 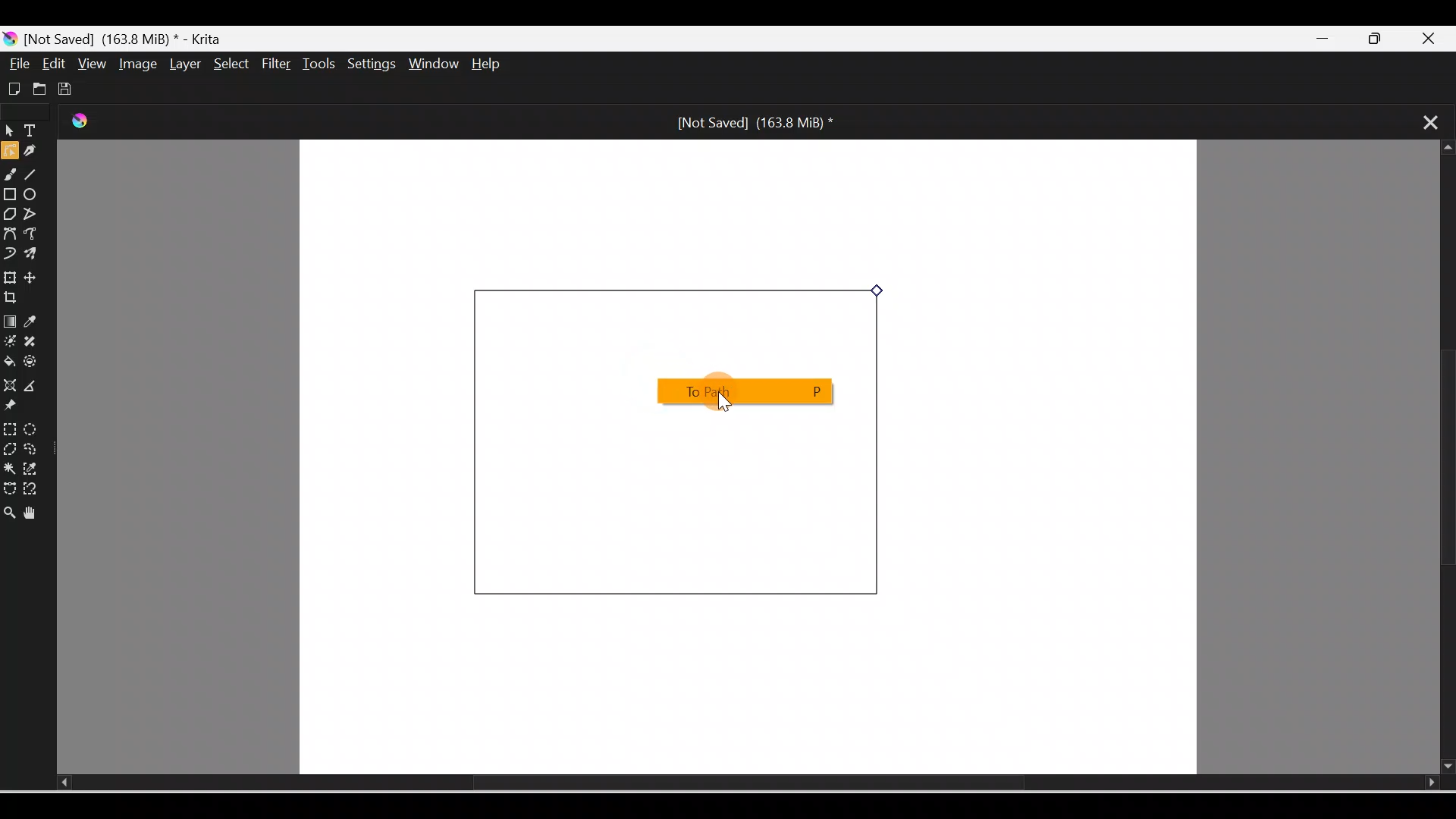 What do you see at coordinates (9, 467) in the screenshot?
I see `Contiguous selection tool` at bounding box center [9, 467].